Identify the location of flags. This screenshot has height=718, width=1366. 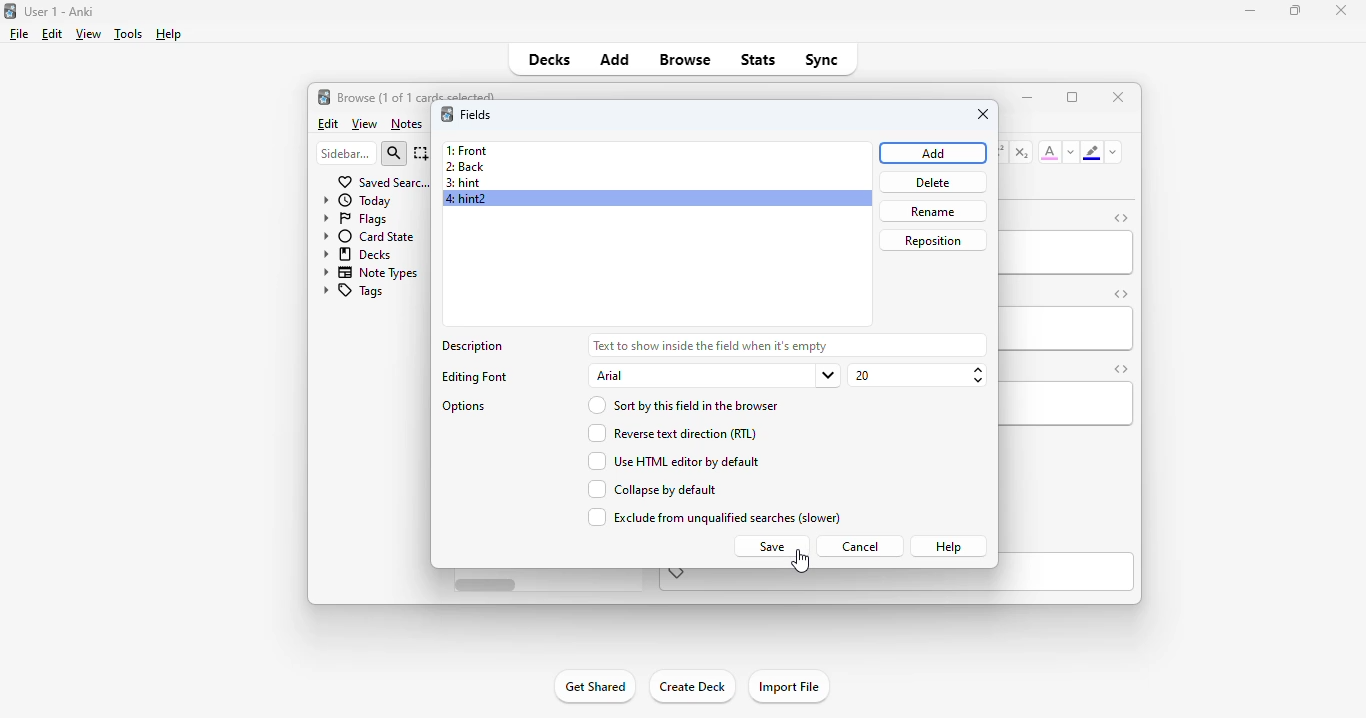
(353, 218).